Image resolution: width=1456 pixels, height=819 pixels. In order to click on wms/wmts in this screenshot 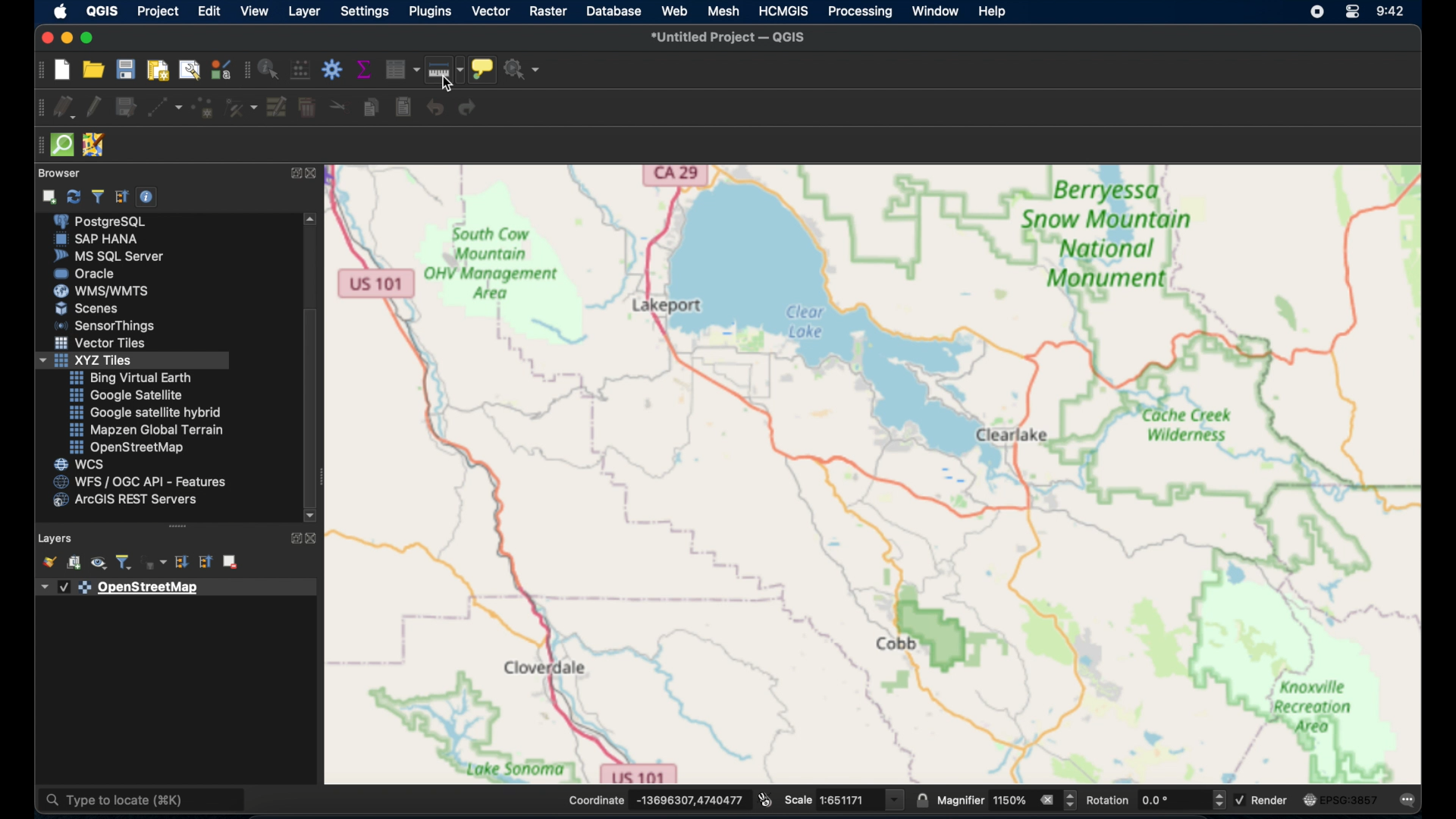, I will do `click(103, 290)`.